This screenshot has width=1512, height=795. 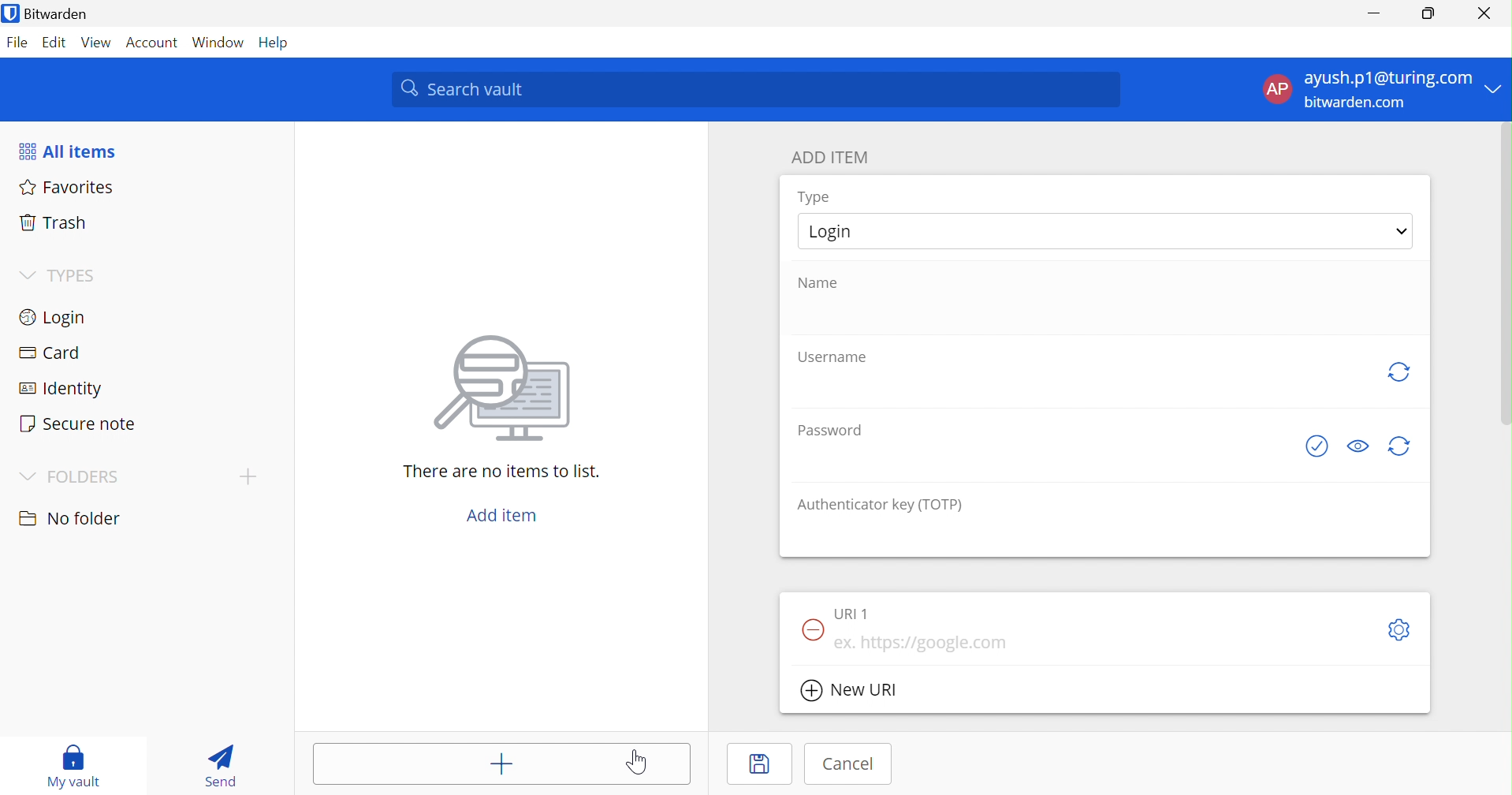 What do you see at coordinates (69, 188) in the screenshot?
I see `Favorites` at bounding box center [69, 188].